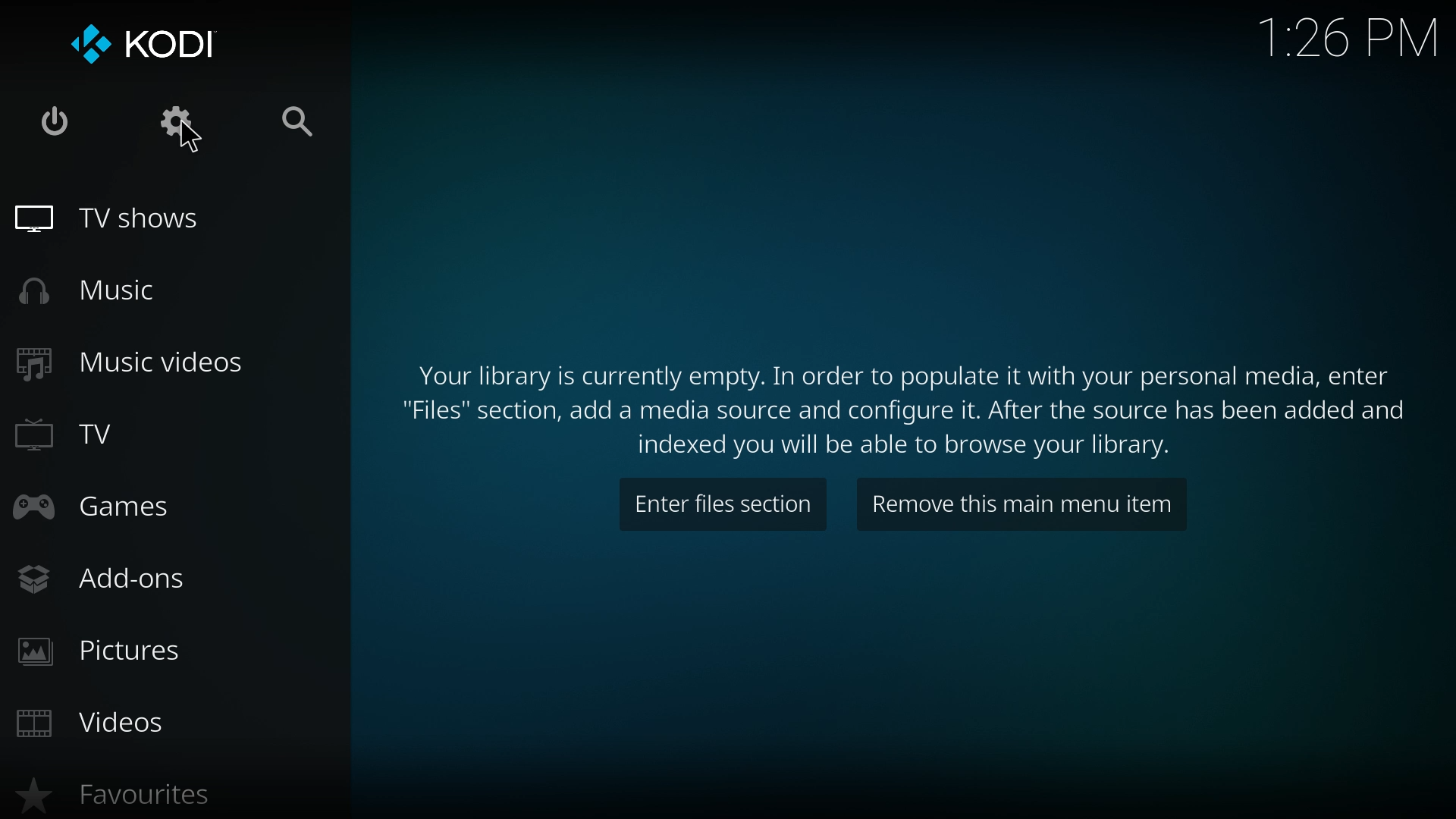  I want to click on tv, so click(108, 434).